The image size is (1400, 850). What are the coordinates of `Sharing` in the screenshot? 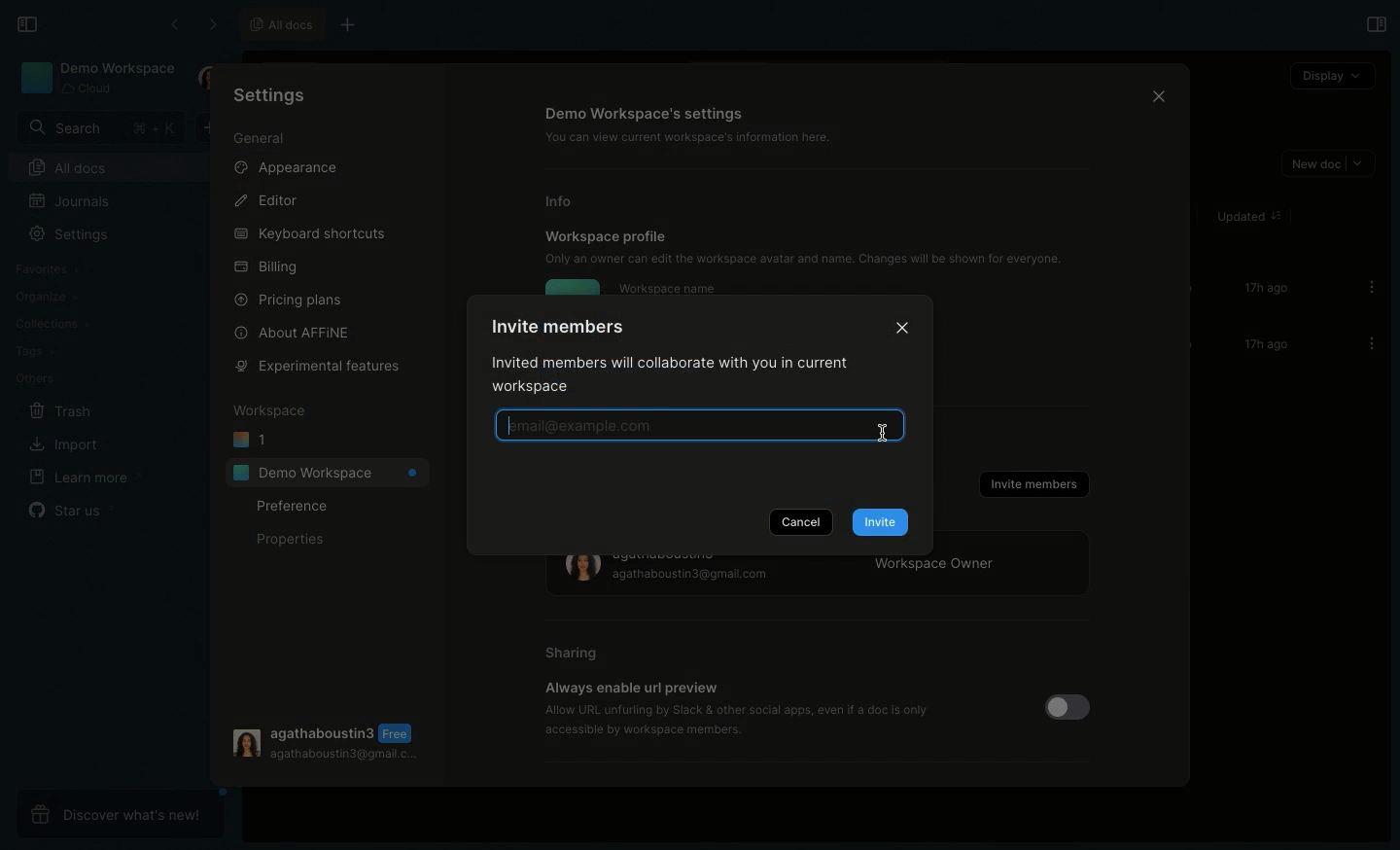 It's located at (573, 654).